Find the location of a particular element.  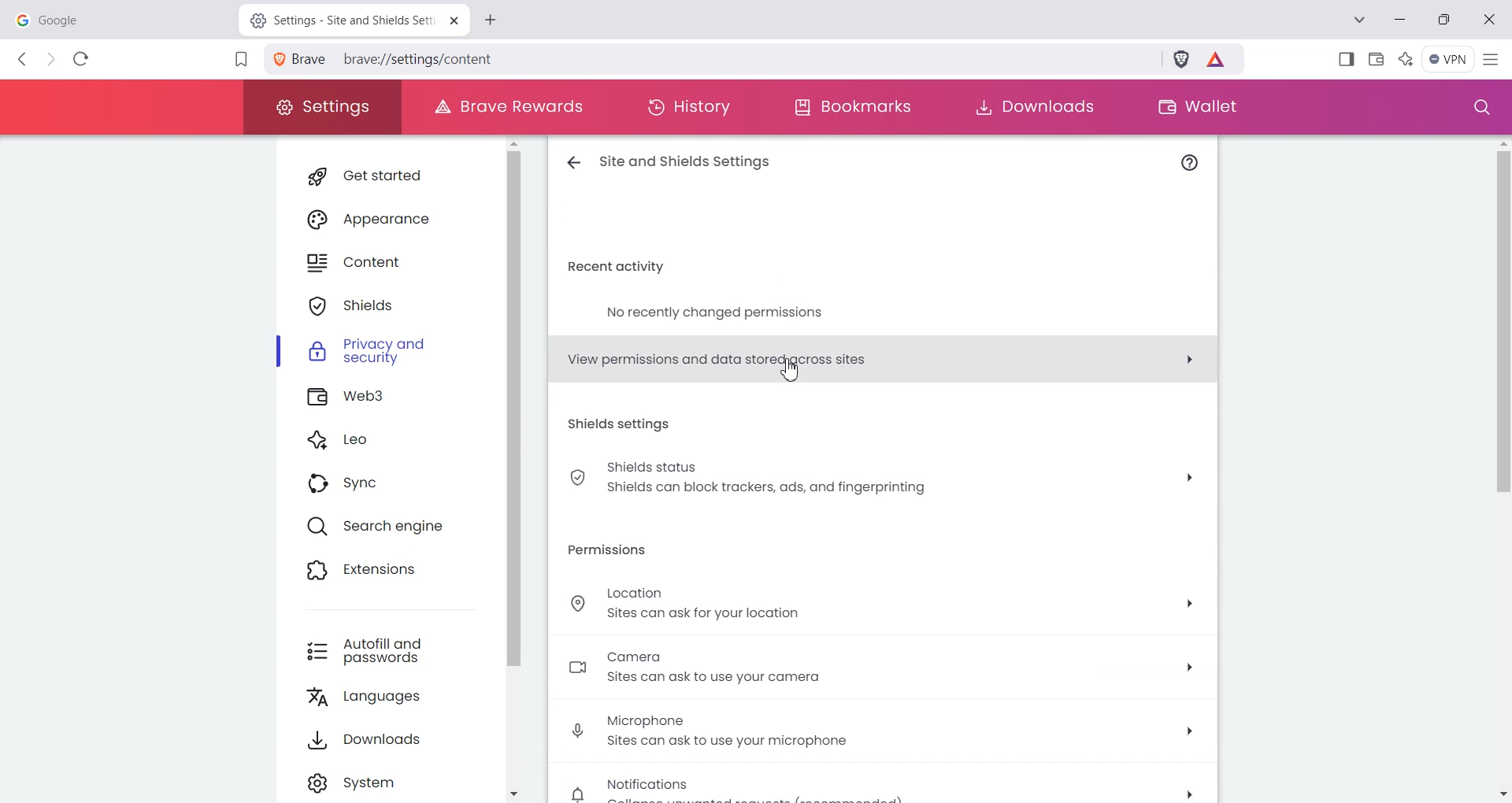

Vertical scroll bar is located at coordinates (524, 469).